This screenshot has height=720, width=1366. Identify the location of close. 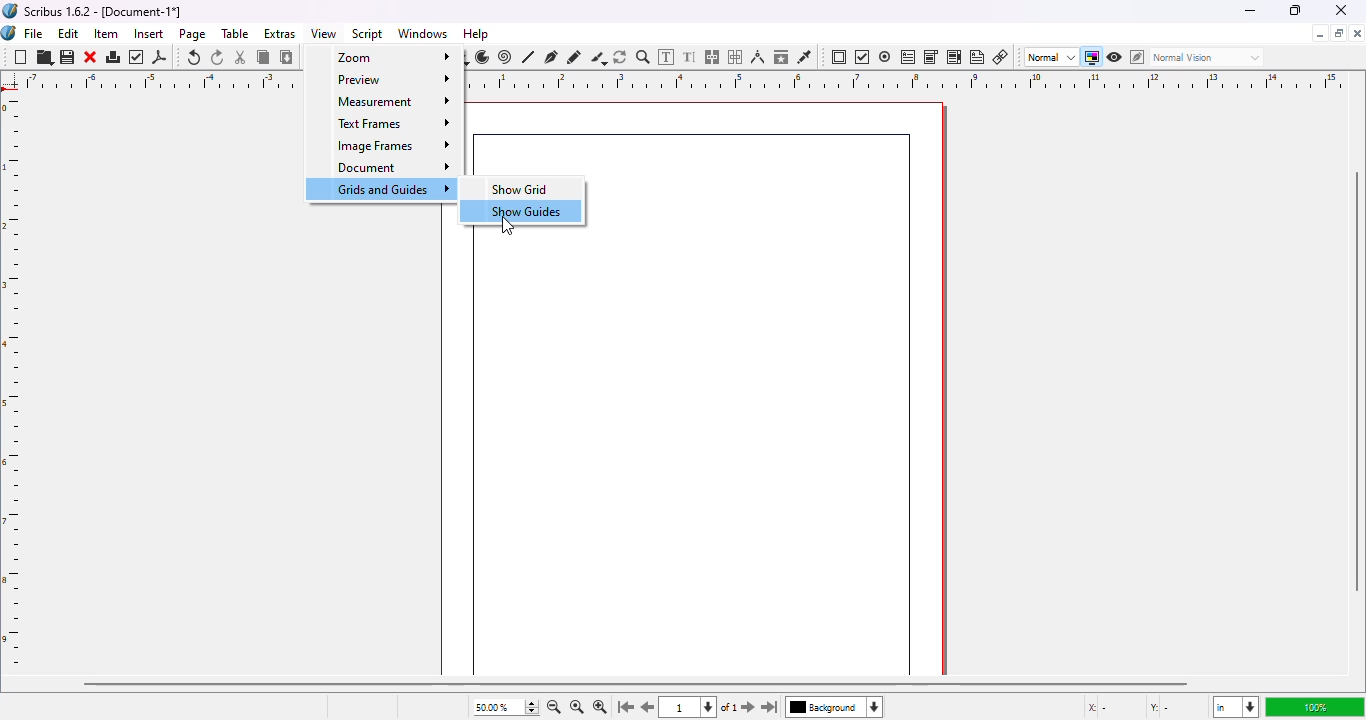
(91, 57).